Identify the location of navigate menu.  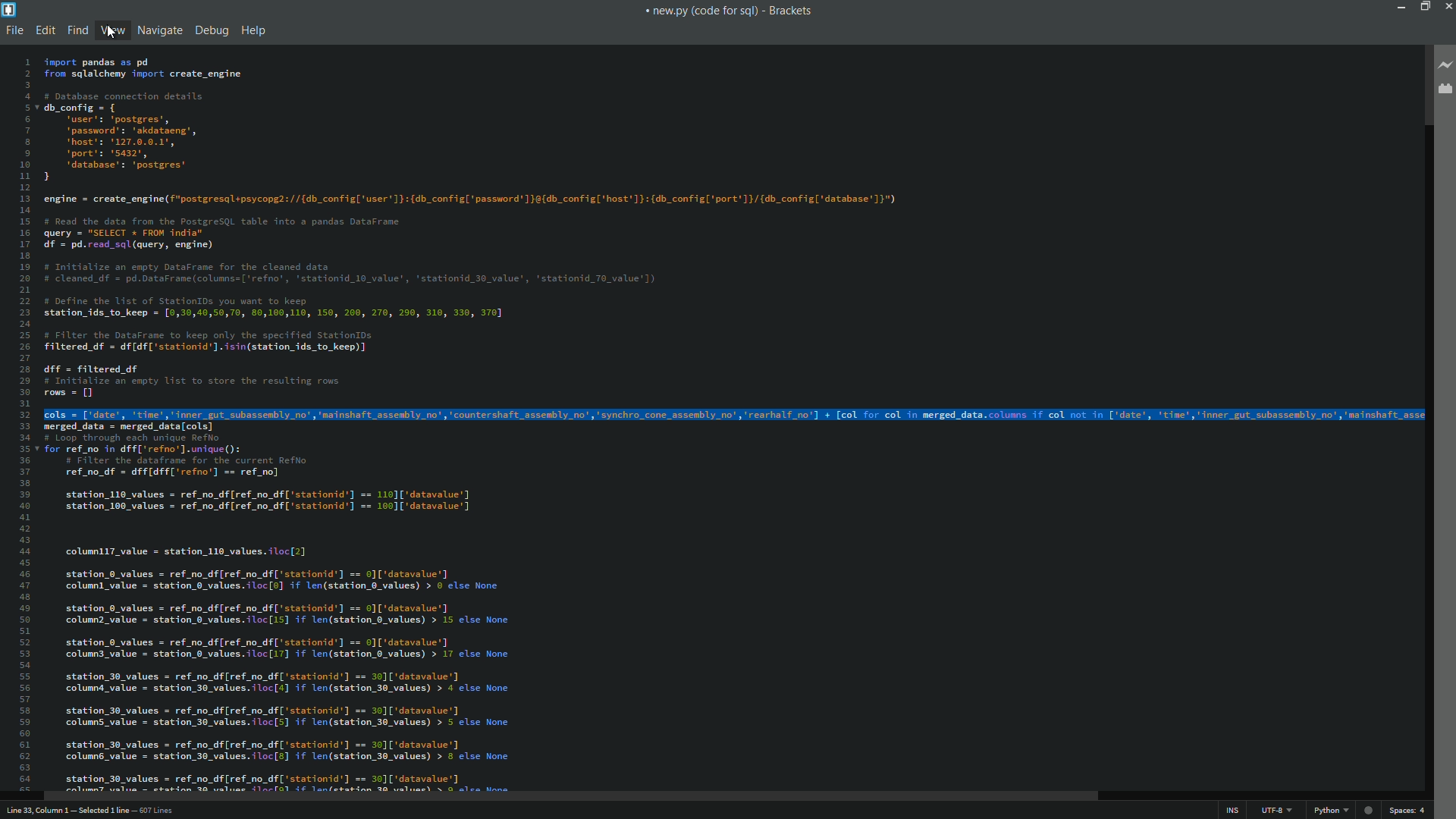
(158, 31).